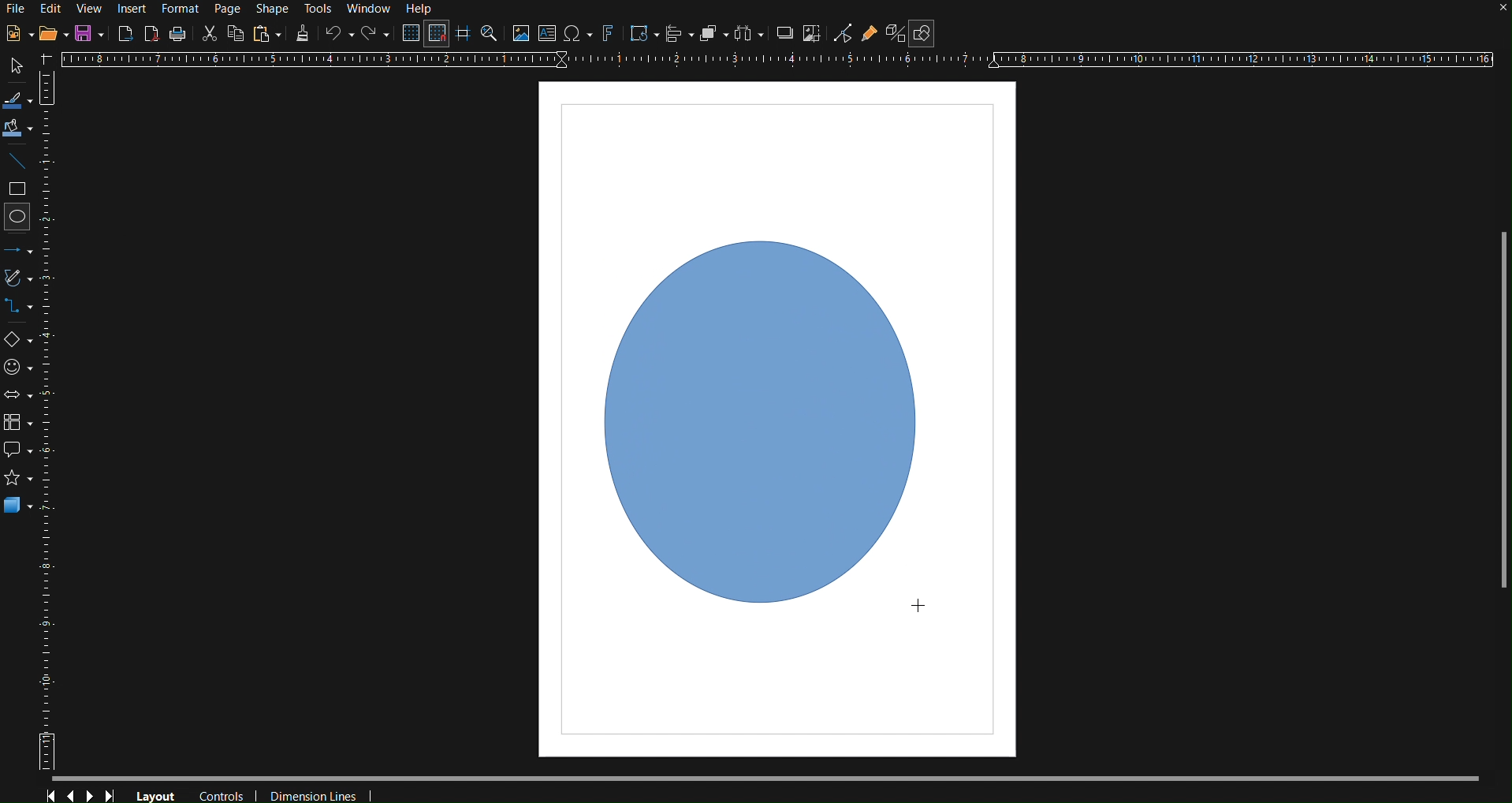 The width and height of the screenshot is (1512, 803). I want to click on Toggle Extrusion, so click(893, 35).